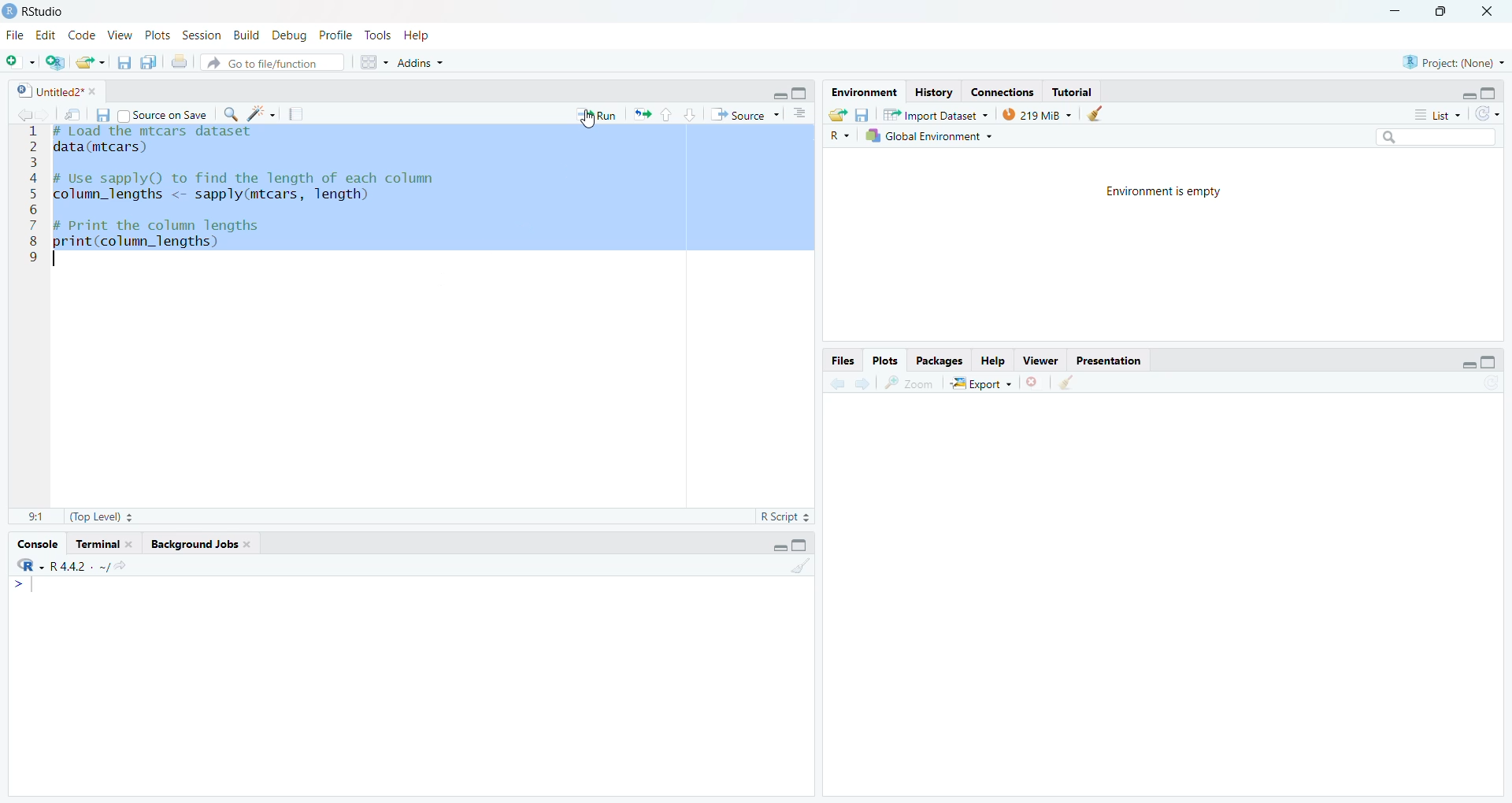 The image size is (1512, 803). What do you see at coordinates (296, 113) in the screenshot?
I see `Compile report` at bounding box center [296, 113].